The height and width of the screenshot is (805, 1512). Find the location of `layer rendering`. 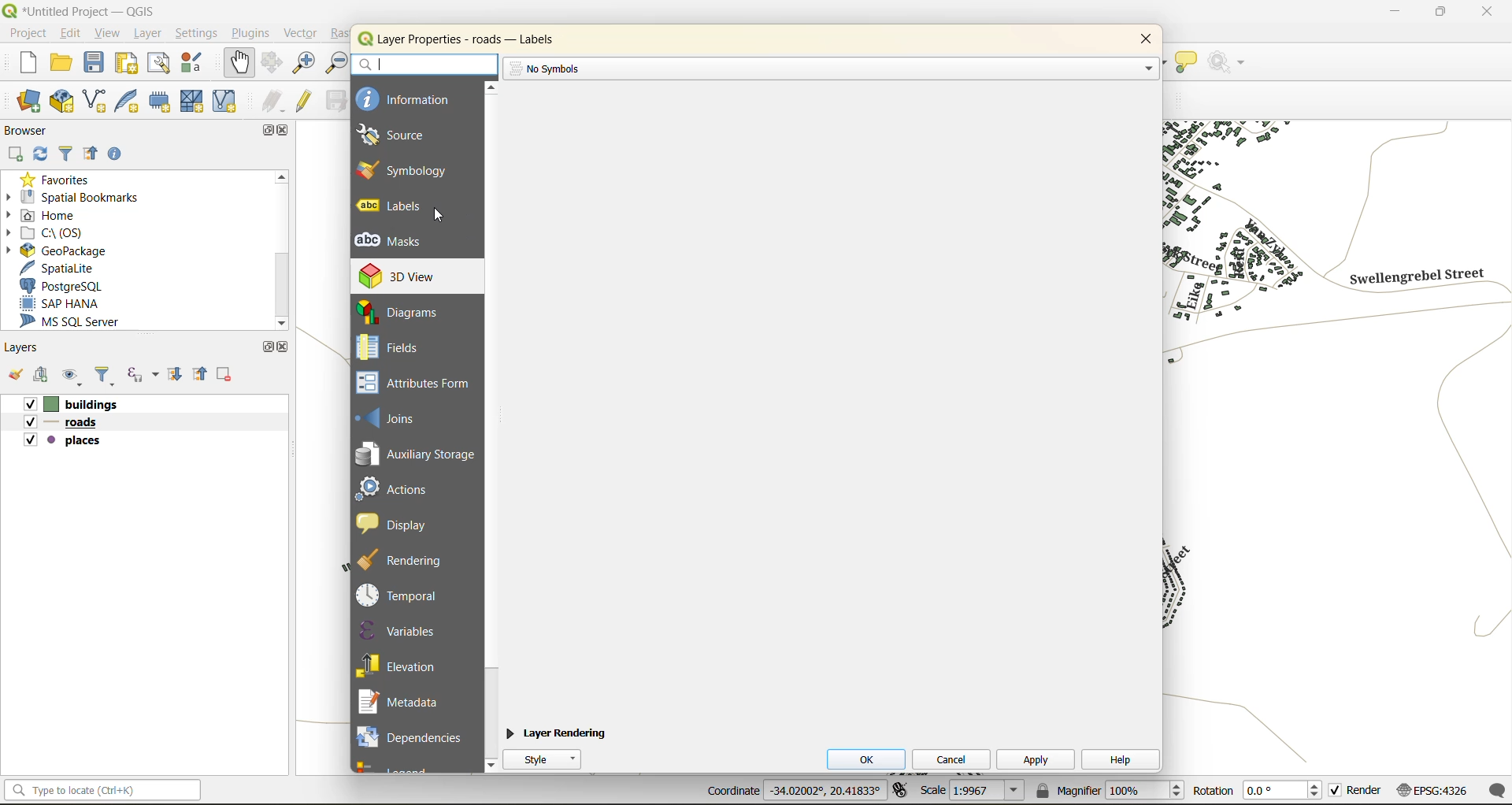

layer rendering is located at coordinates (558, 733).